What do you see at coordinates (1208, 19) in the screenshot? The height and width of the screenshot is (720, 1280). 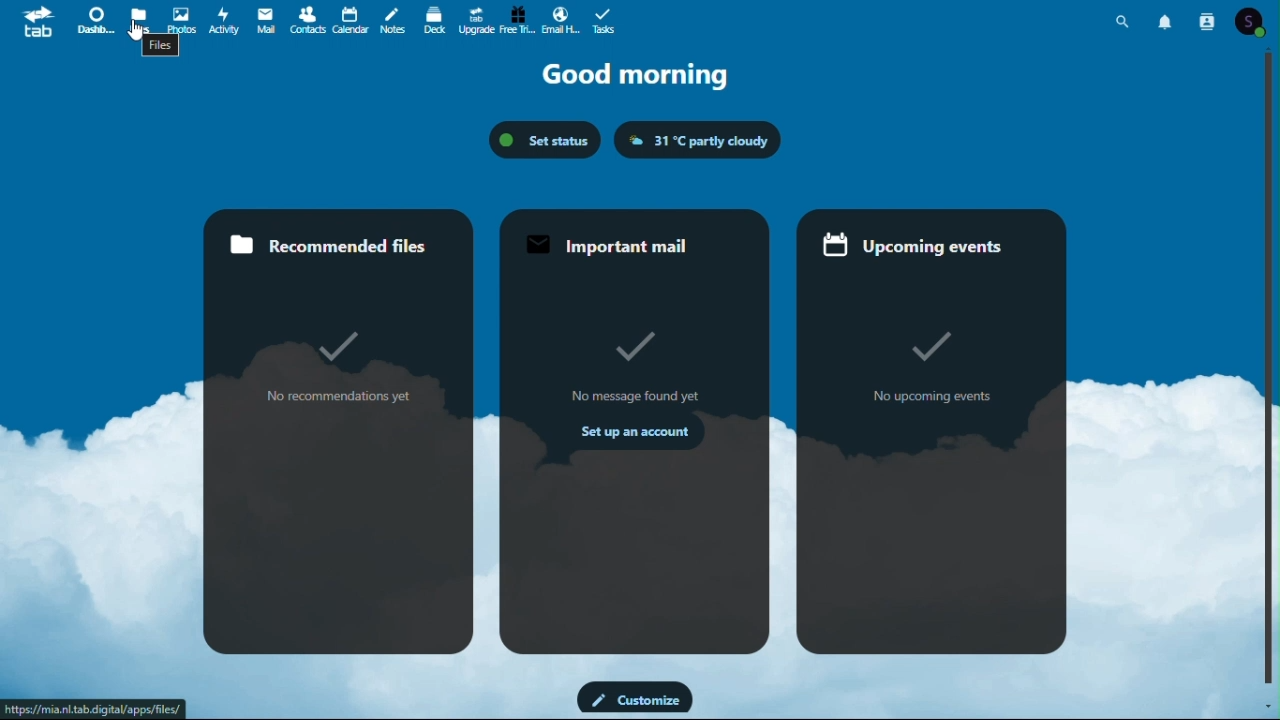 I see `Contacts` at bounding box center [1208, 19].